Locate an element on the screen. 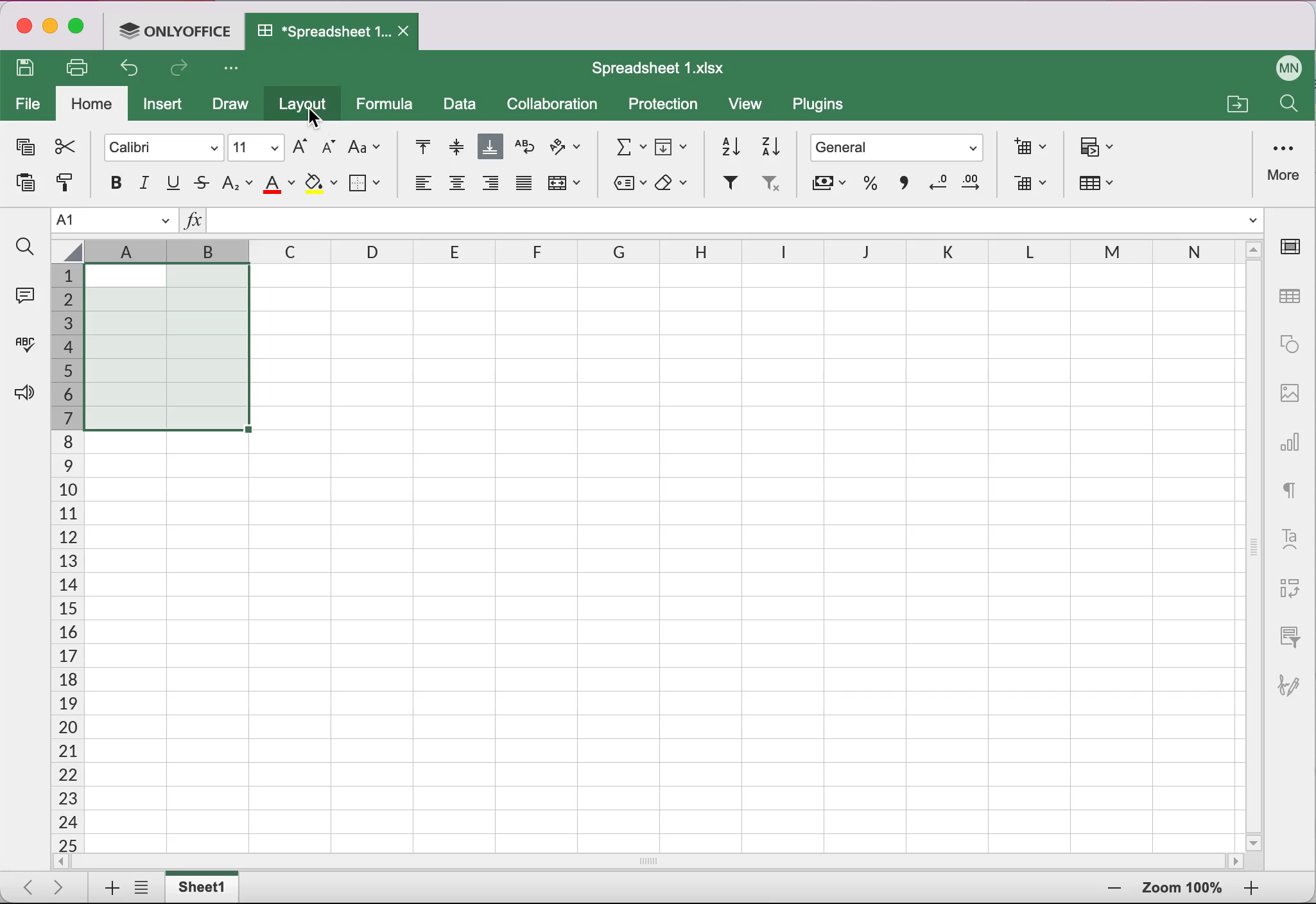  Close is located at coordinates (406, 32).